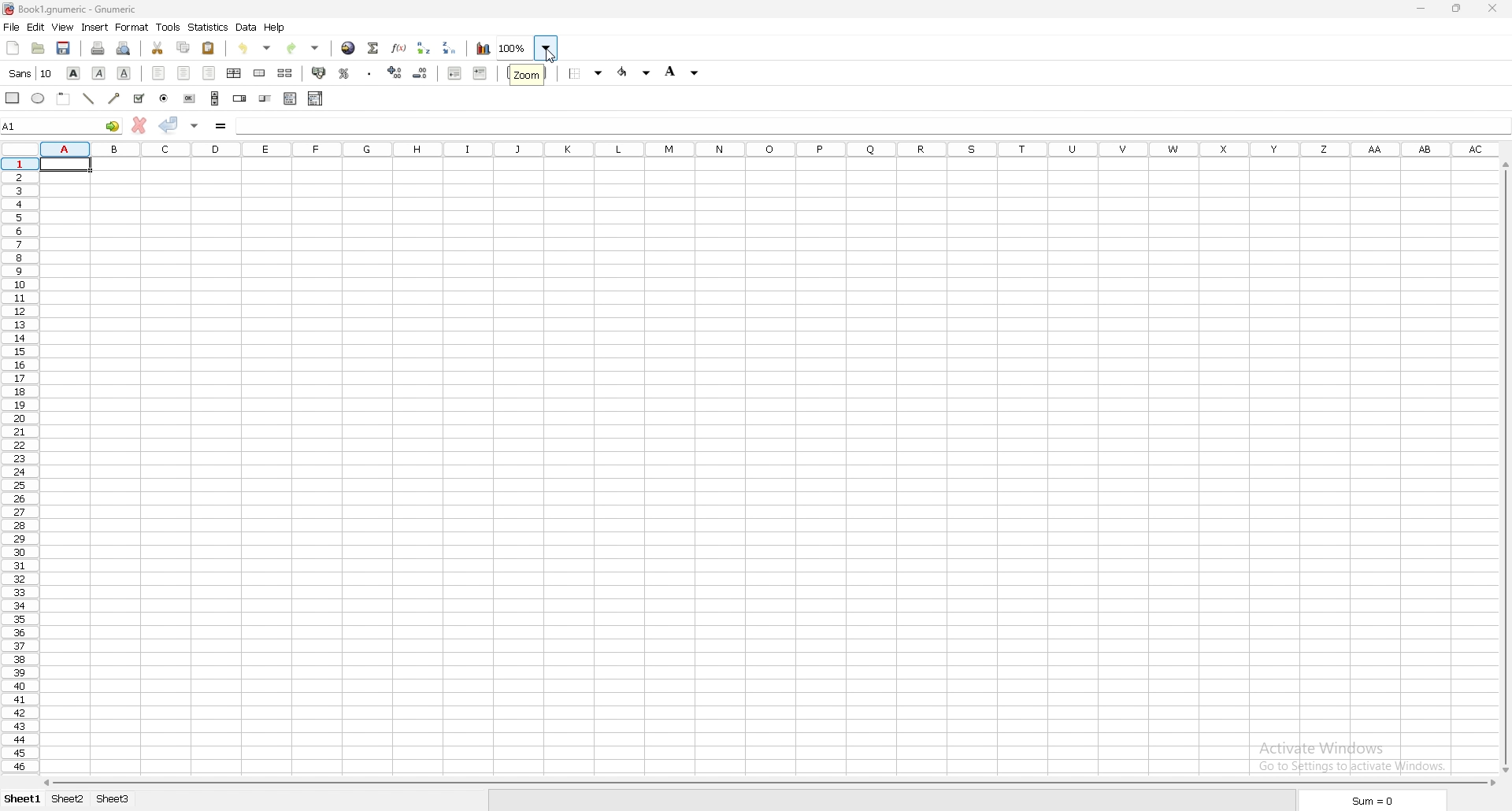  What do you see at coordinates (63, 98) in the screenshot?
I see `frame` at bounding box center [63, 98].